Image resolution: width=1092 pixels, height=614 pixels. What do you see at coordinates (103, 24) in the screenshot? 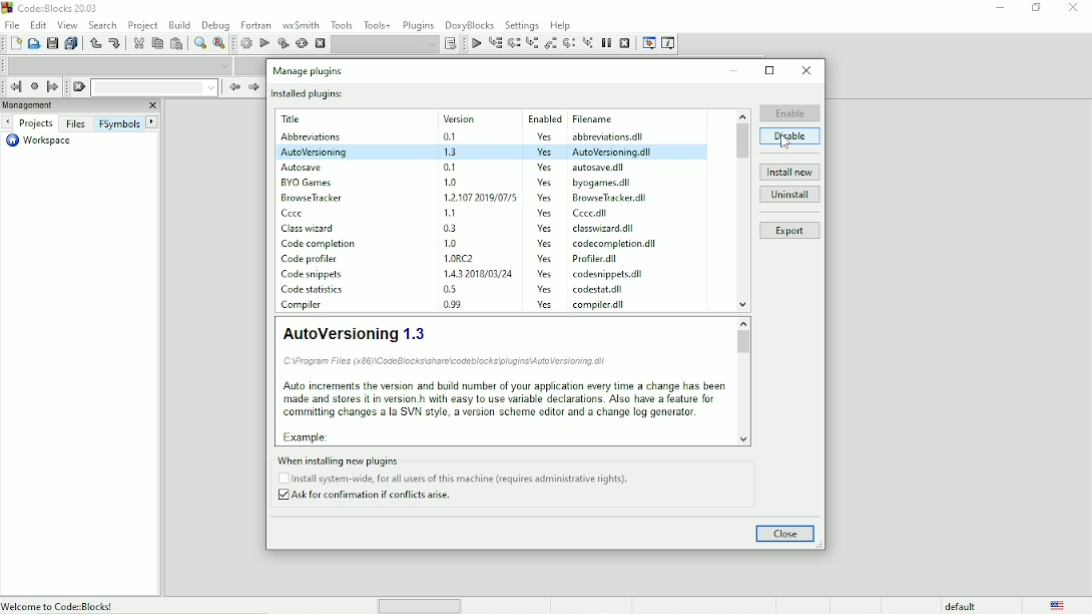
I see `Search` at bounding box center [103, 24].